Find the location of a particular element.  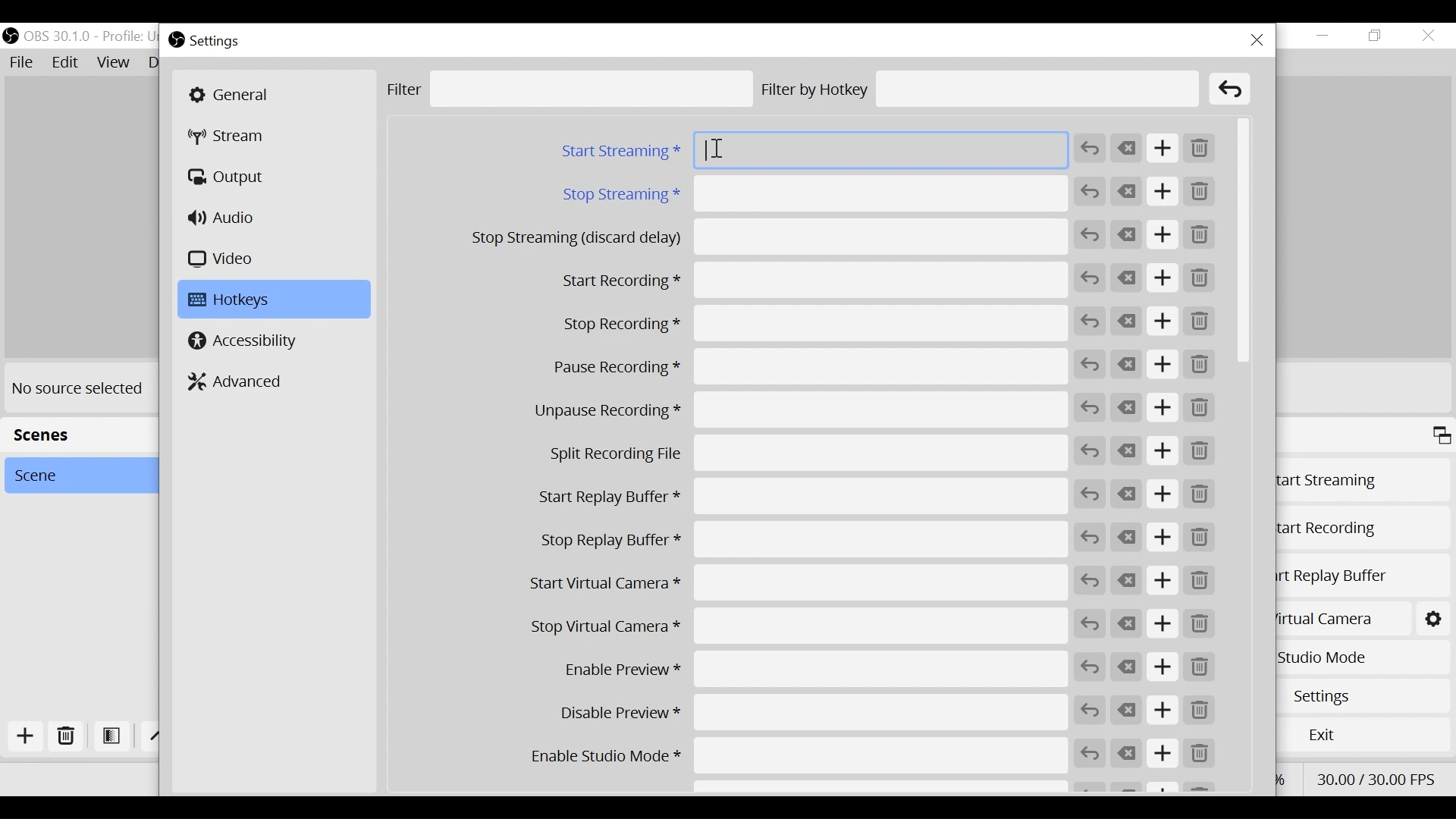

Audio is located at coordinates (225, 217).